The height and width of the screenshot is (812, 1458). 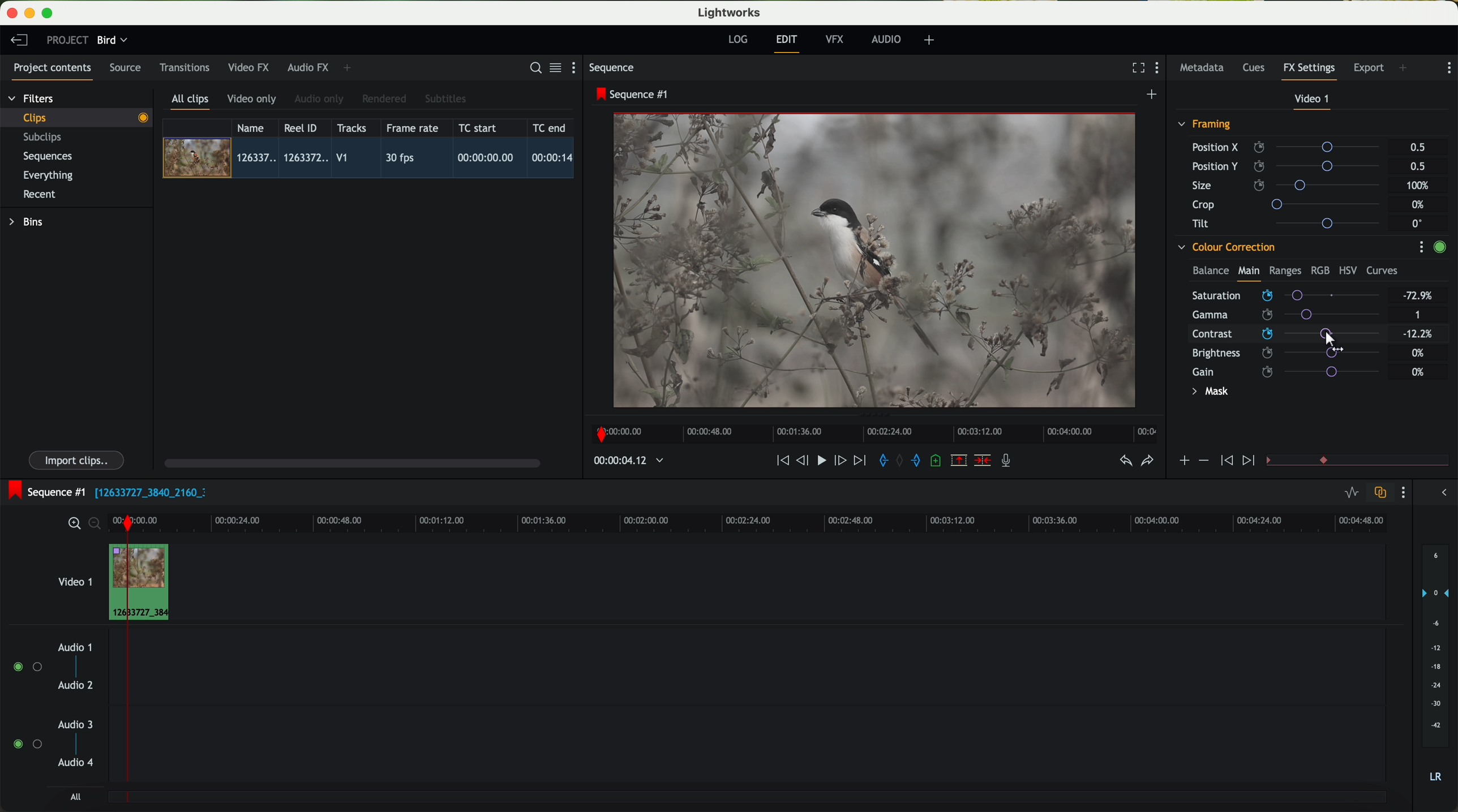 I want to click on sequence #1, so click(x=44, y=492).